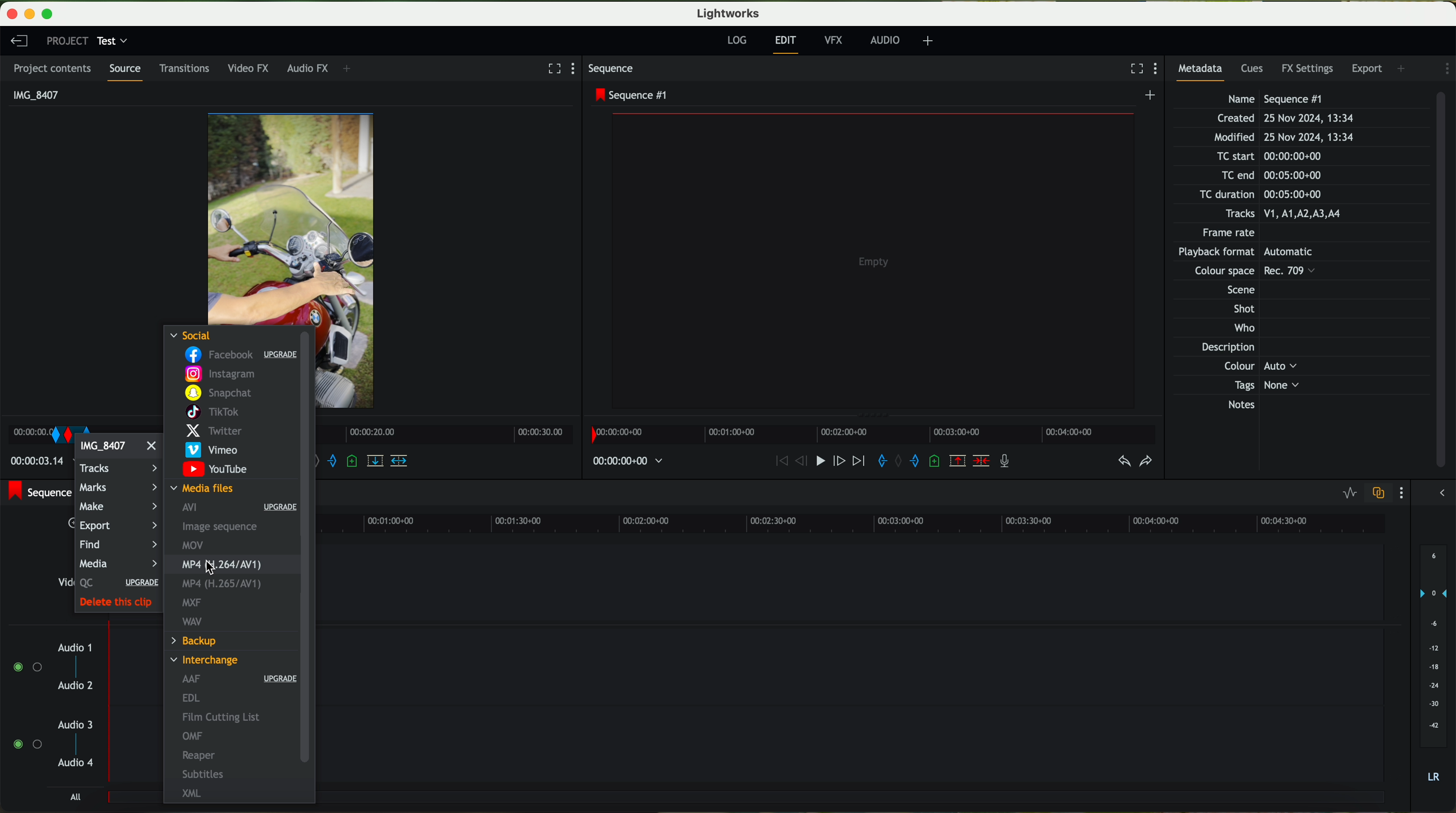 Image resolution: width=1456 pixels, height=813 pixels. I want to click on find, so click(98, 546).